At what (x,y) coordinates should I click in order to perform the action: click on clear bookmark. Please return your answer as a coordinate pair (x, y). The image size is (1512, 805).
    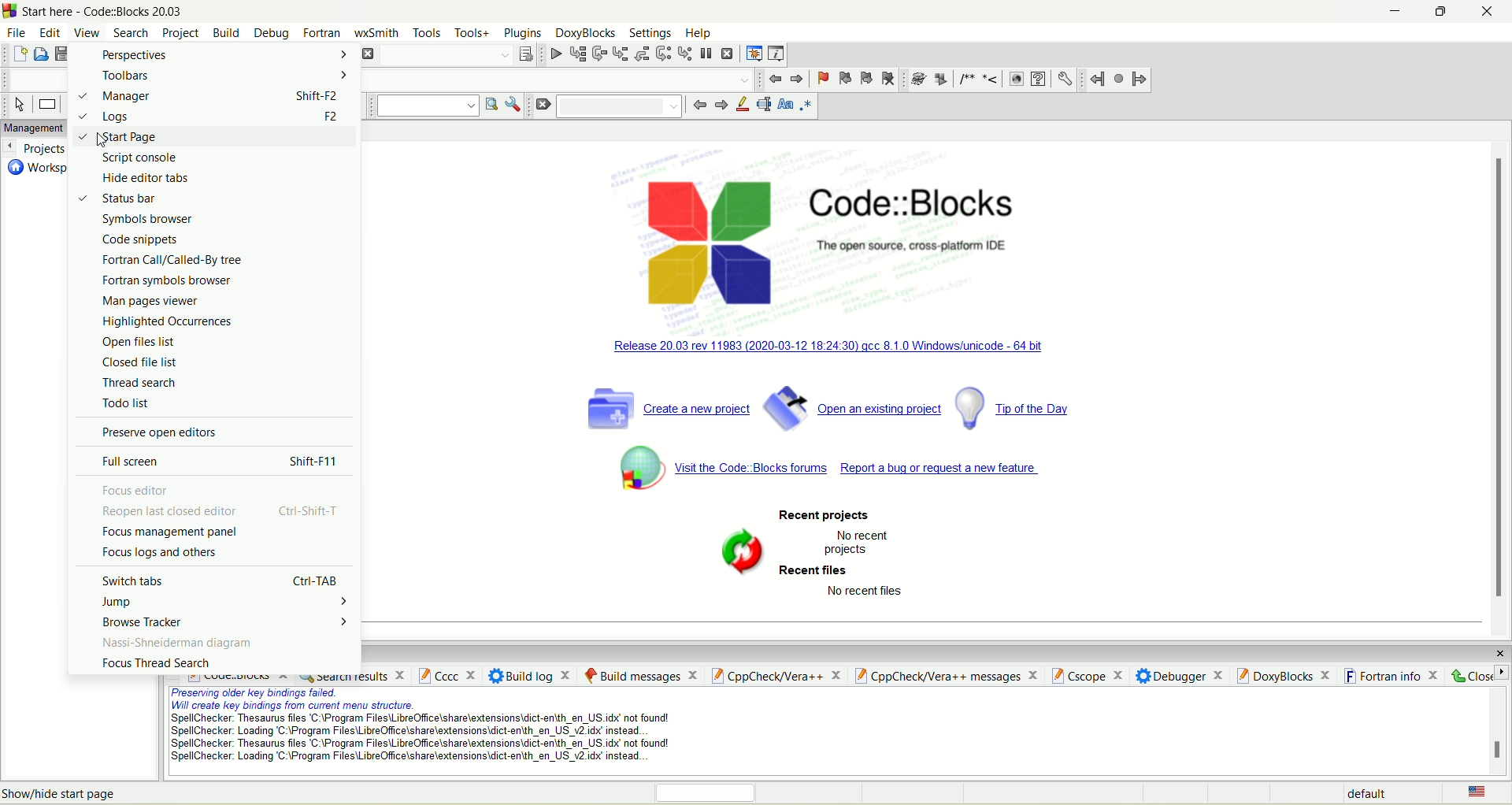
    Looking at the image, I should click on (890, 79).